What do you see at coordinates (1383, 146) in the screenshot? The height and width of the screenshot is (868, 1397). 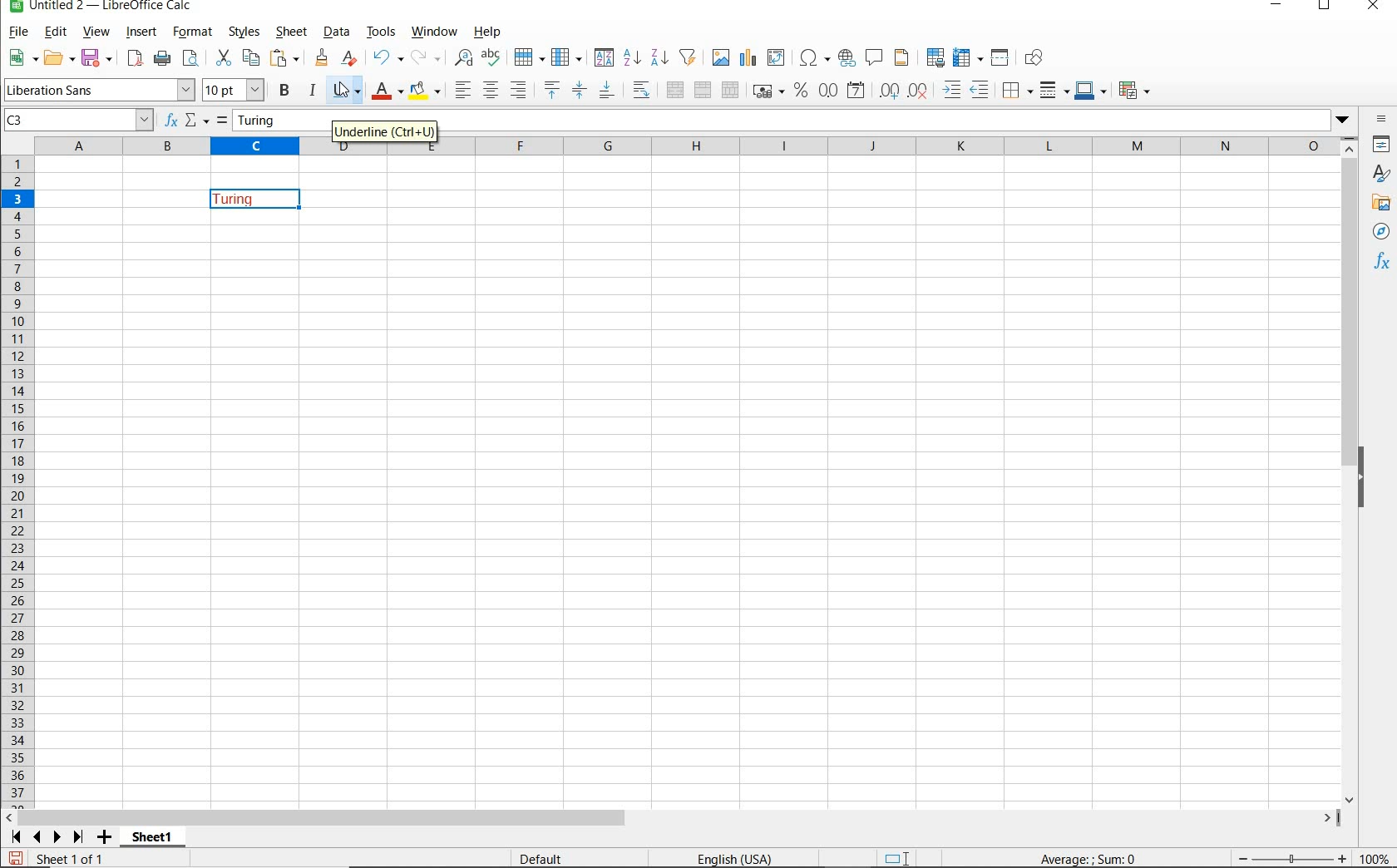 I see `PROPERTIES` at bounding box center [1383, 146].